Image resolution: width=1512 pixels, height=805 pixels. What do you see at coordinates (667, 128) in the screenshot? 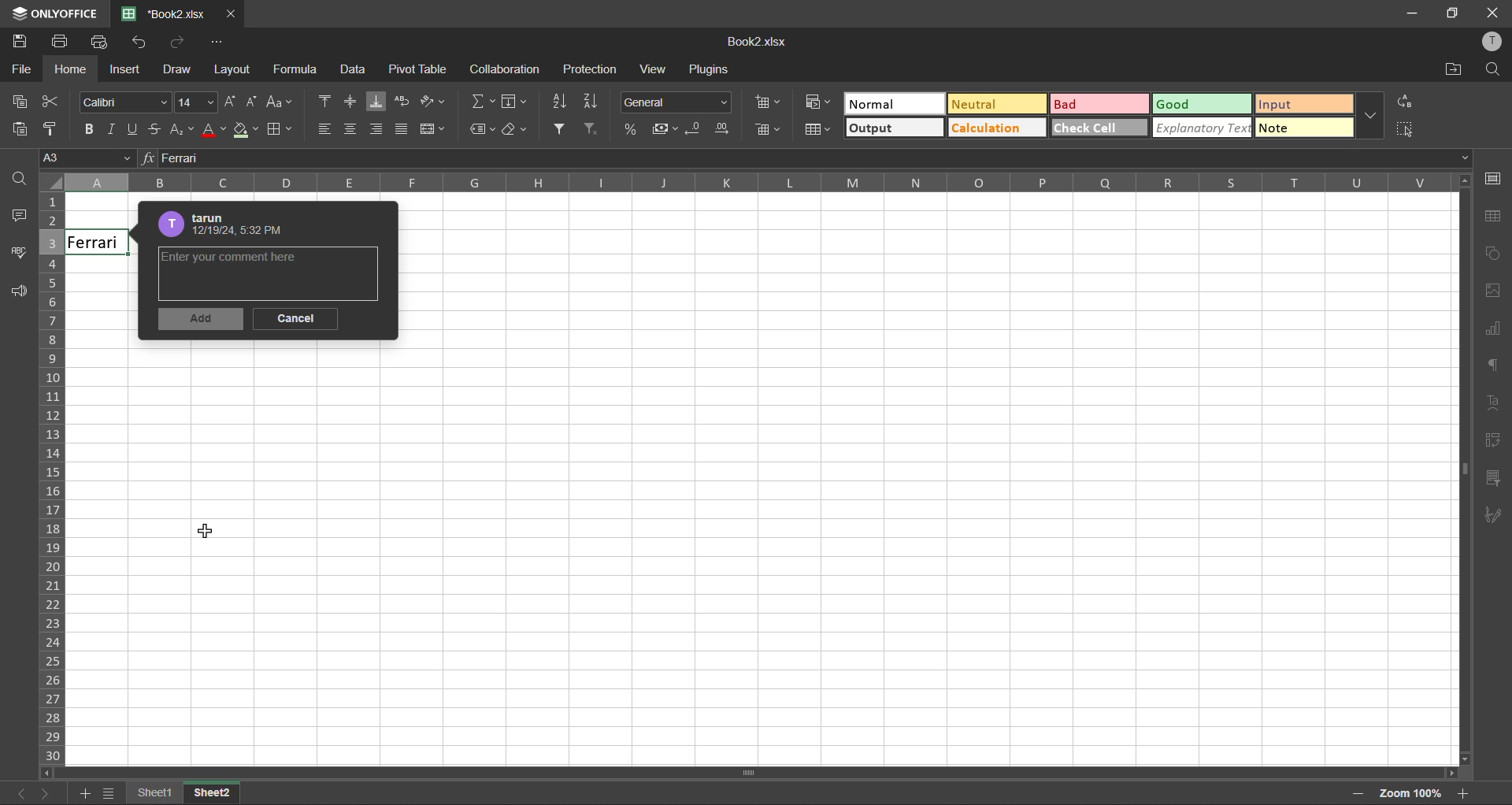
I see `accounting` at bounding box center [667, 128].